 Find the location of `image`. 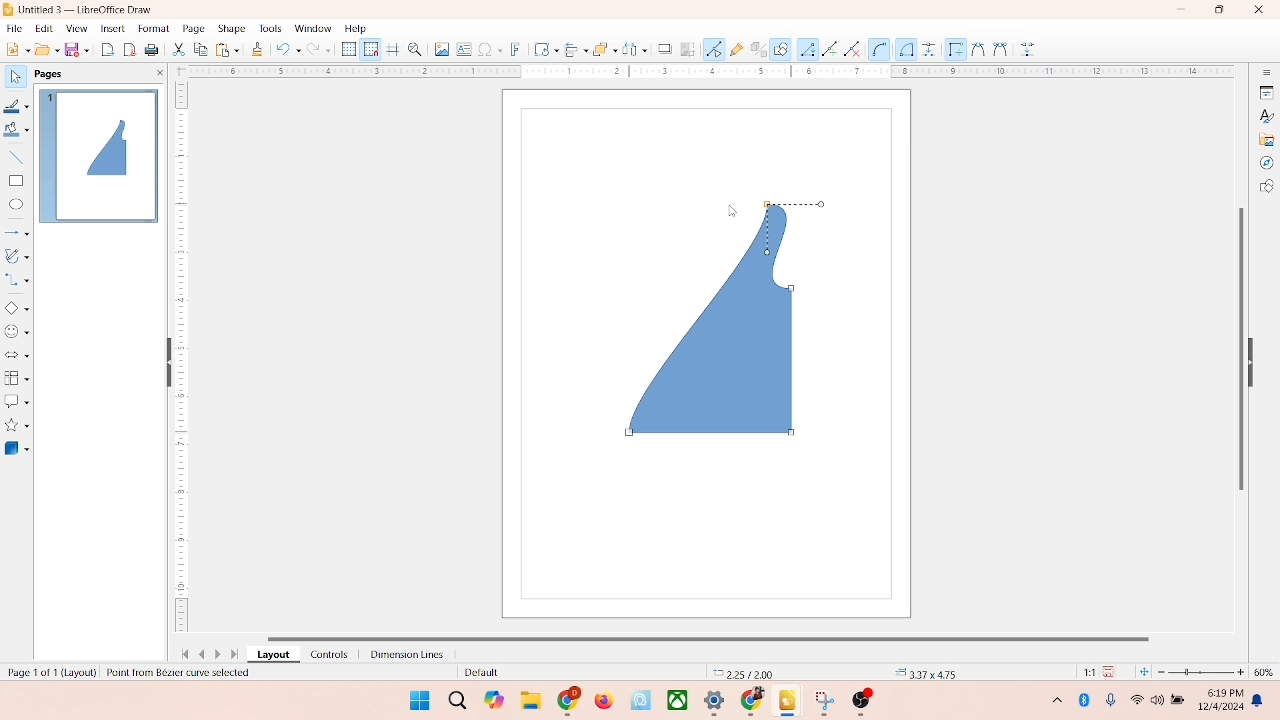

image is located at coordinates (439, 49).